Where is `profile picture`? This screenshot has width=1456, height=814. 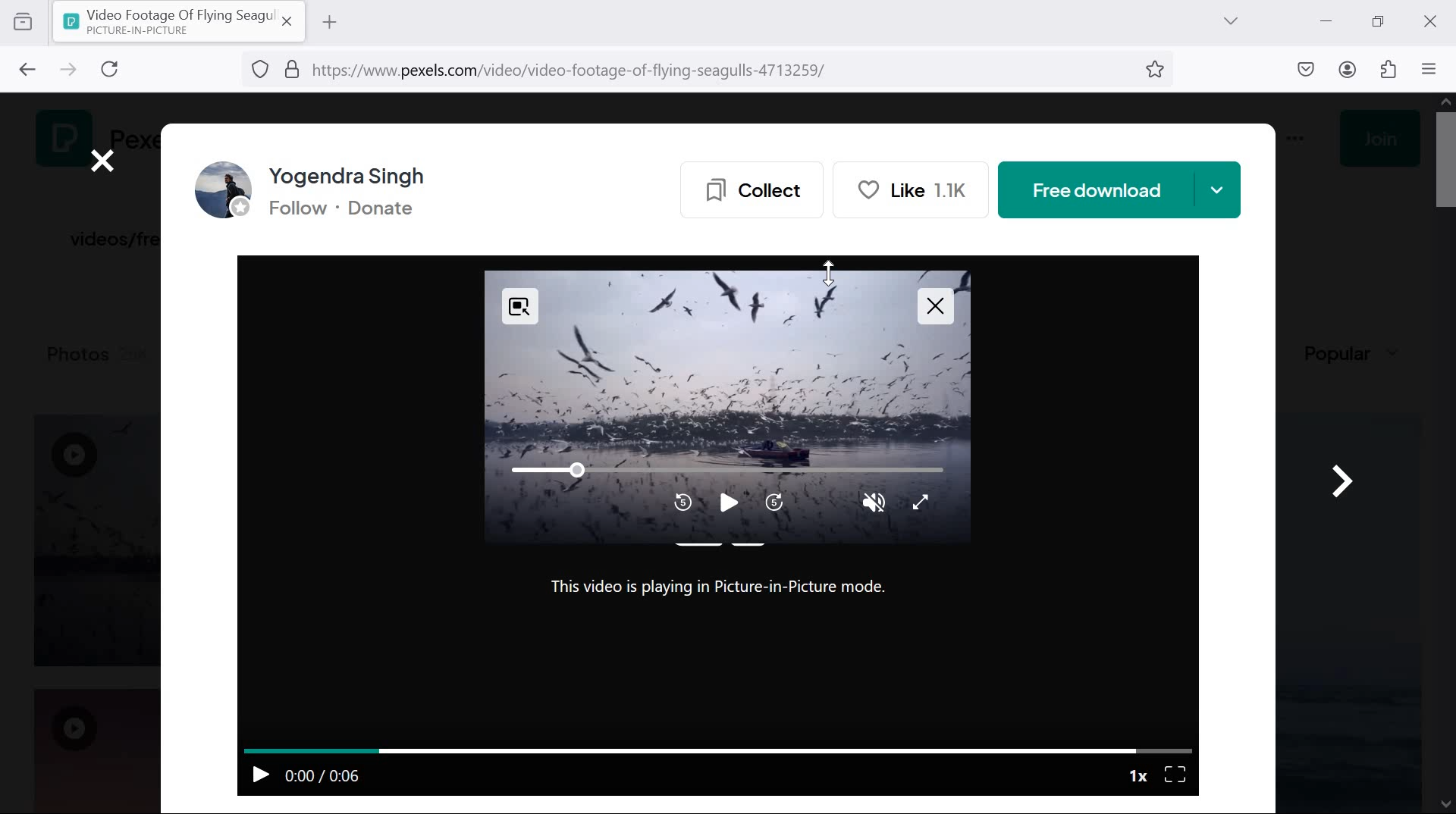
profile picture is located at coordinates (218, 191).